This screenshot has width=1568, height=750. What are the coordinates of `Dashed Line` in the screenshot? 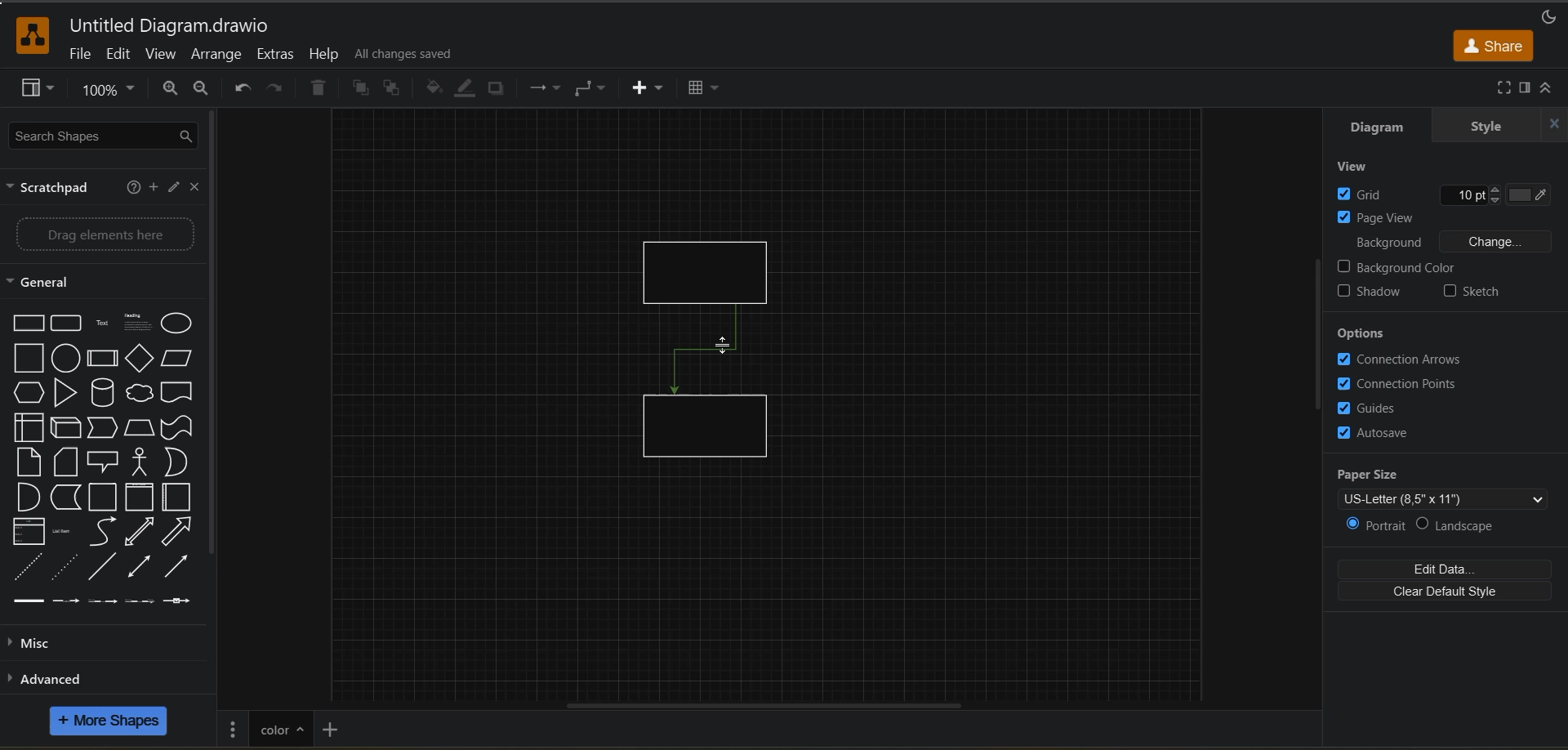 It's located at (24, 567).